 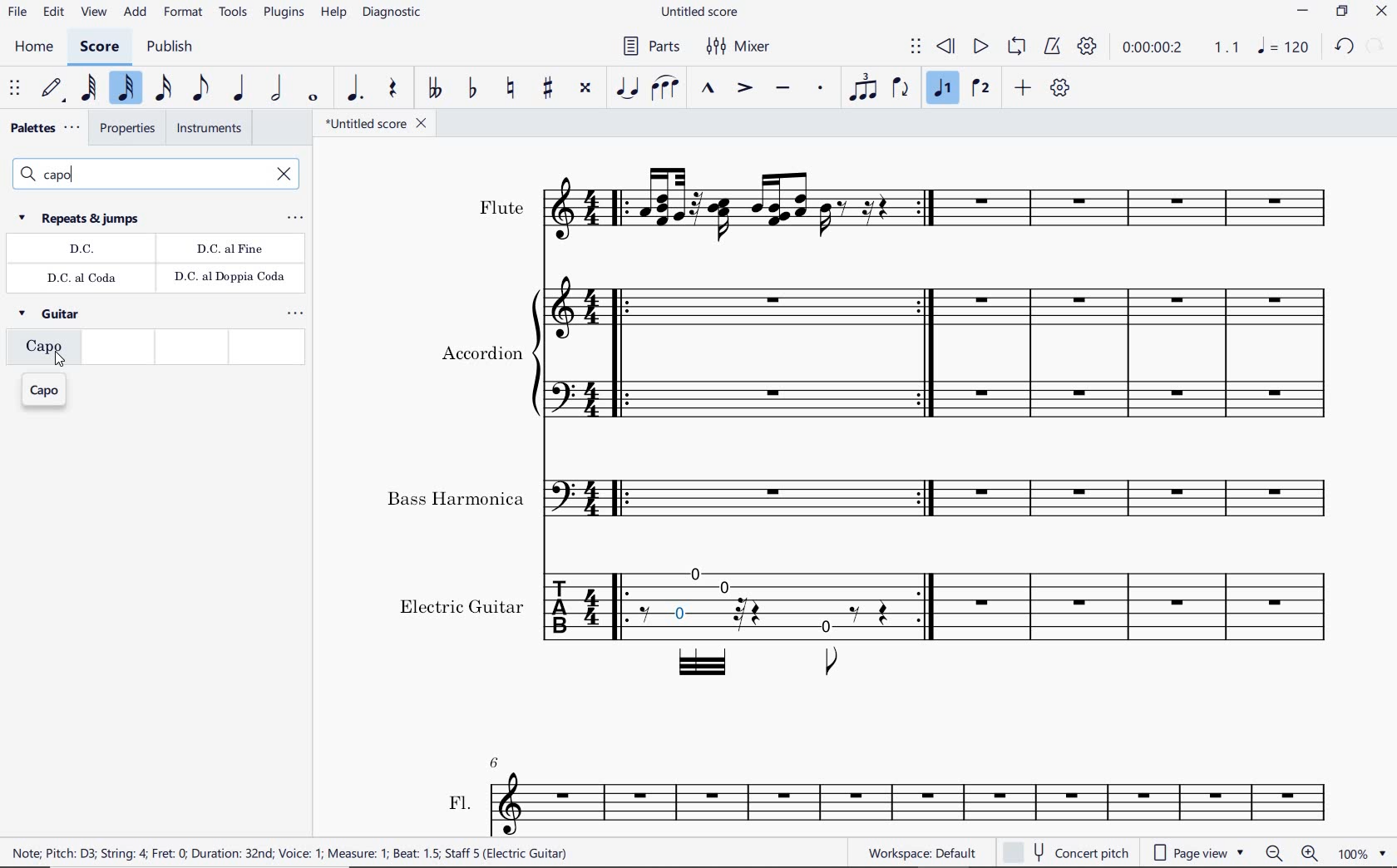 I want to click on zoom factor, so click(x=1360, y=854).